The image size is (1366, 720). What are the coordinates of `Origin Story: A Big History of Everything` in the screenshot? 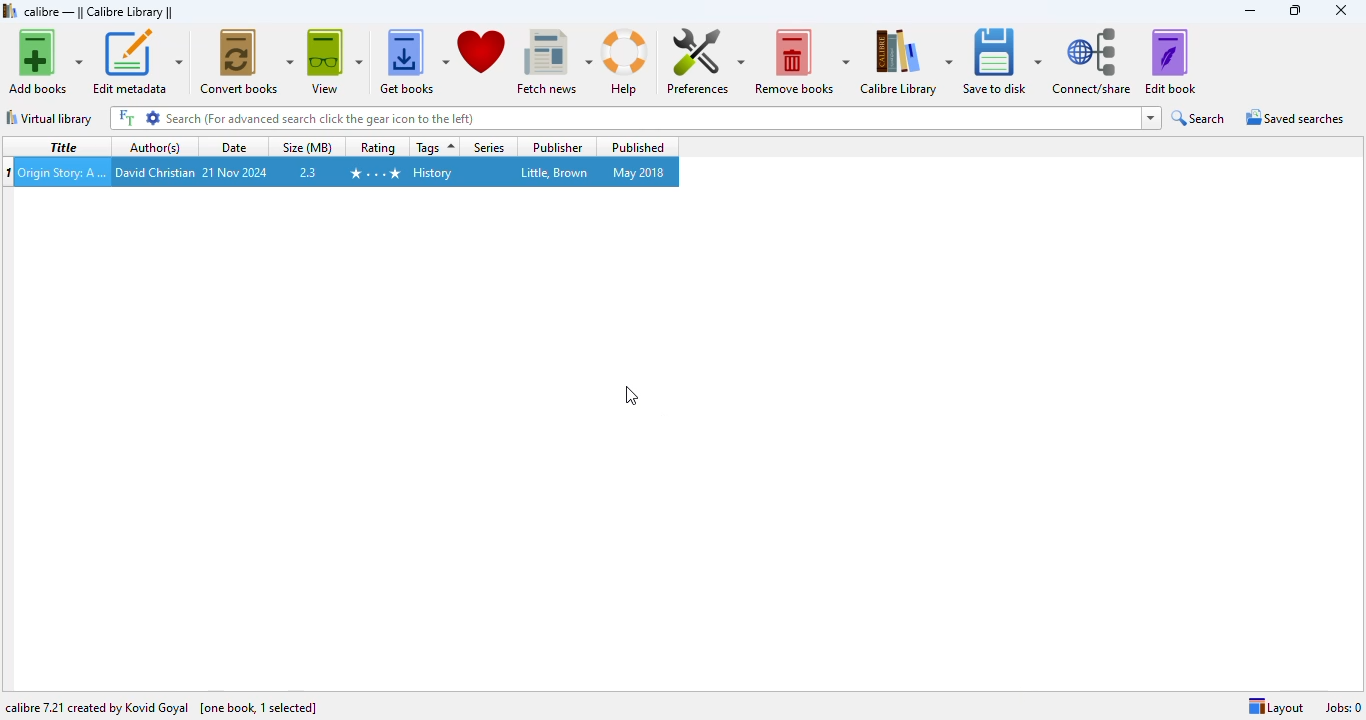 It's located at (64, 173).